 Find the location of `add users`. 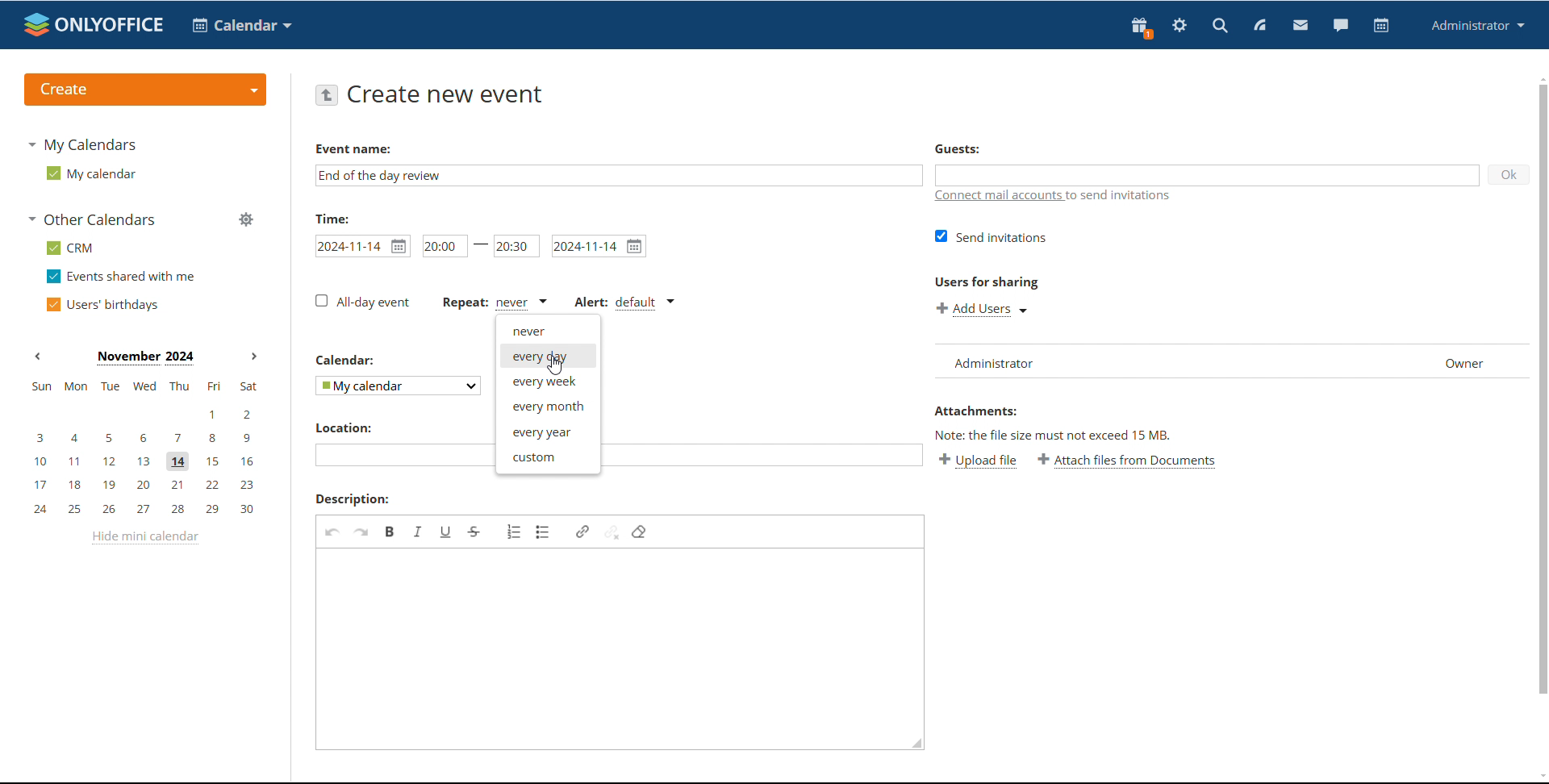

add users is located at coordinates (984, 309).